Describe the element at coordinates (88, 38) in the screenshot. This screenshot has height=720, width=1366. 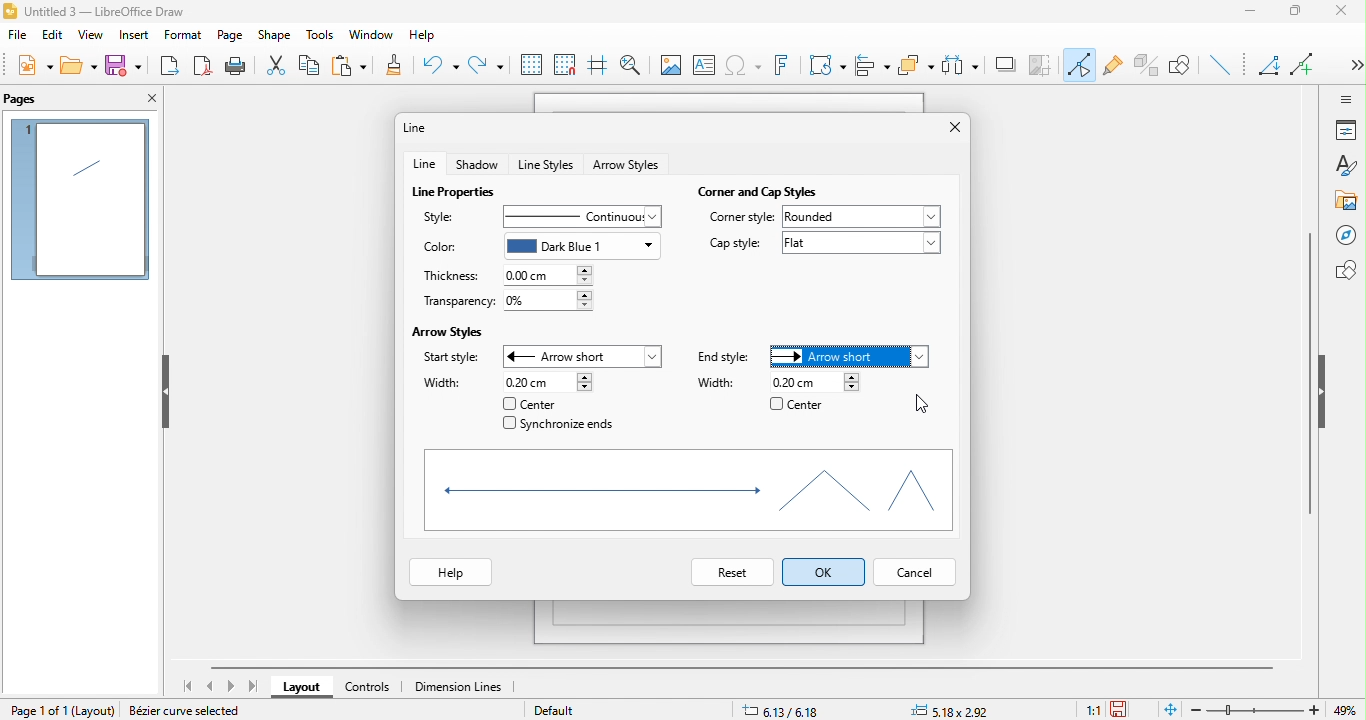
I see `view` at that location.